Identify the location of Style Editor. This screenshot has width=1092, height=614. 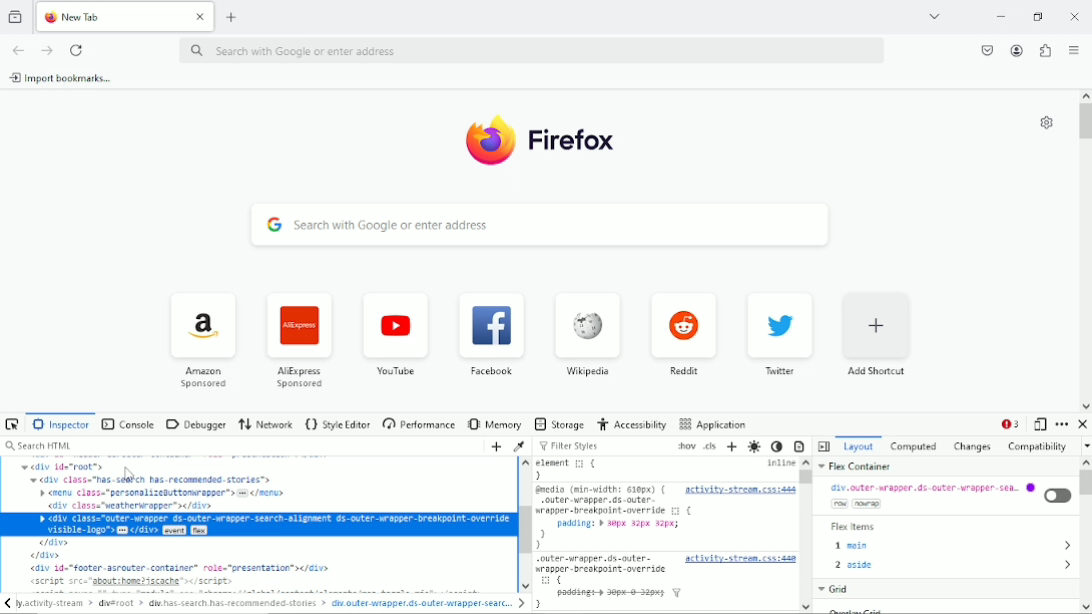
(338, 423).